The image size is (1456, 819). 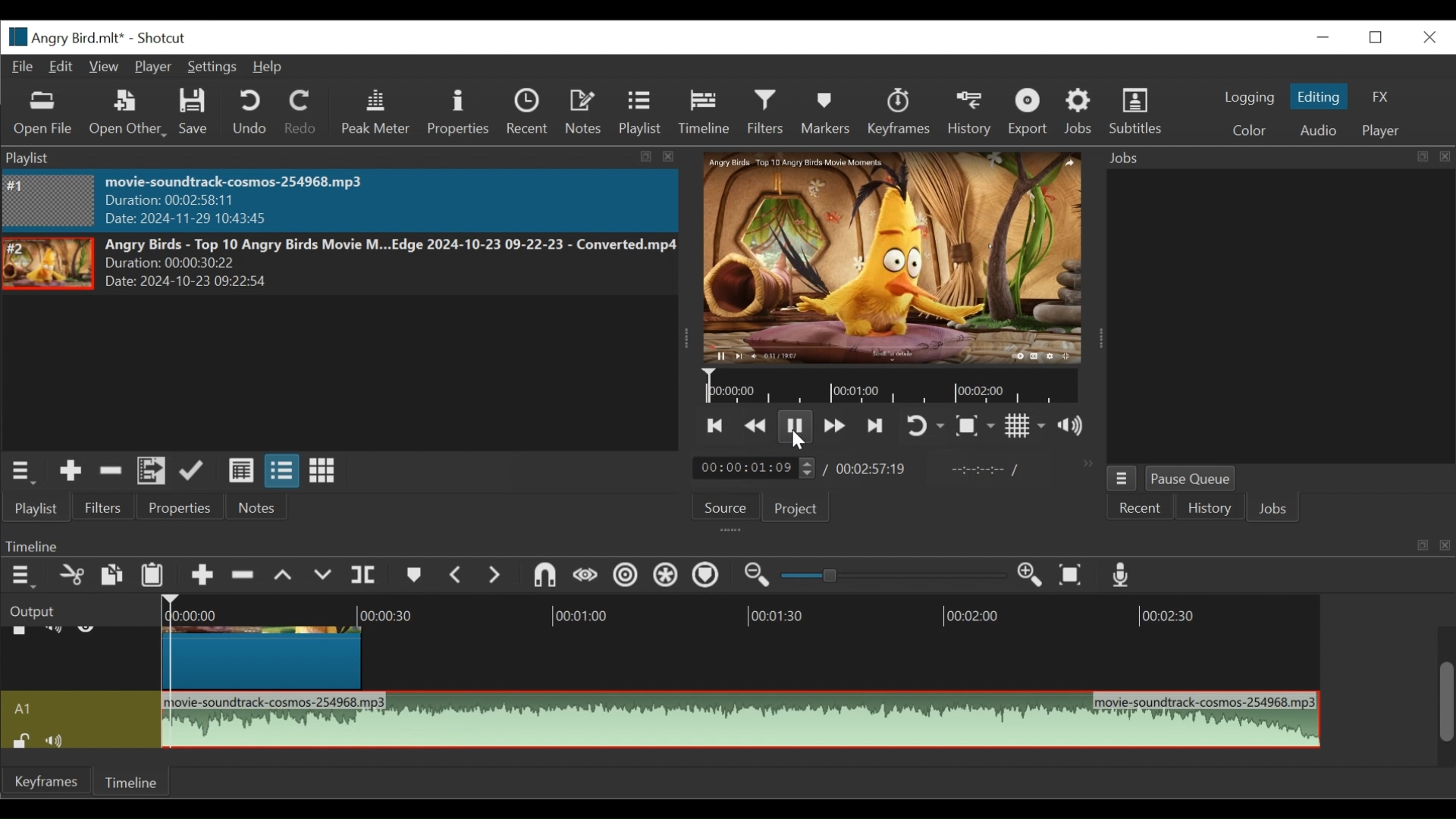 I want to click on Cut, so click(x=71, y=576).